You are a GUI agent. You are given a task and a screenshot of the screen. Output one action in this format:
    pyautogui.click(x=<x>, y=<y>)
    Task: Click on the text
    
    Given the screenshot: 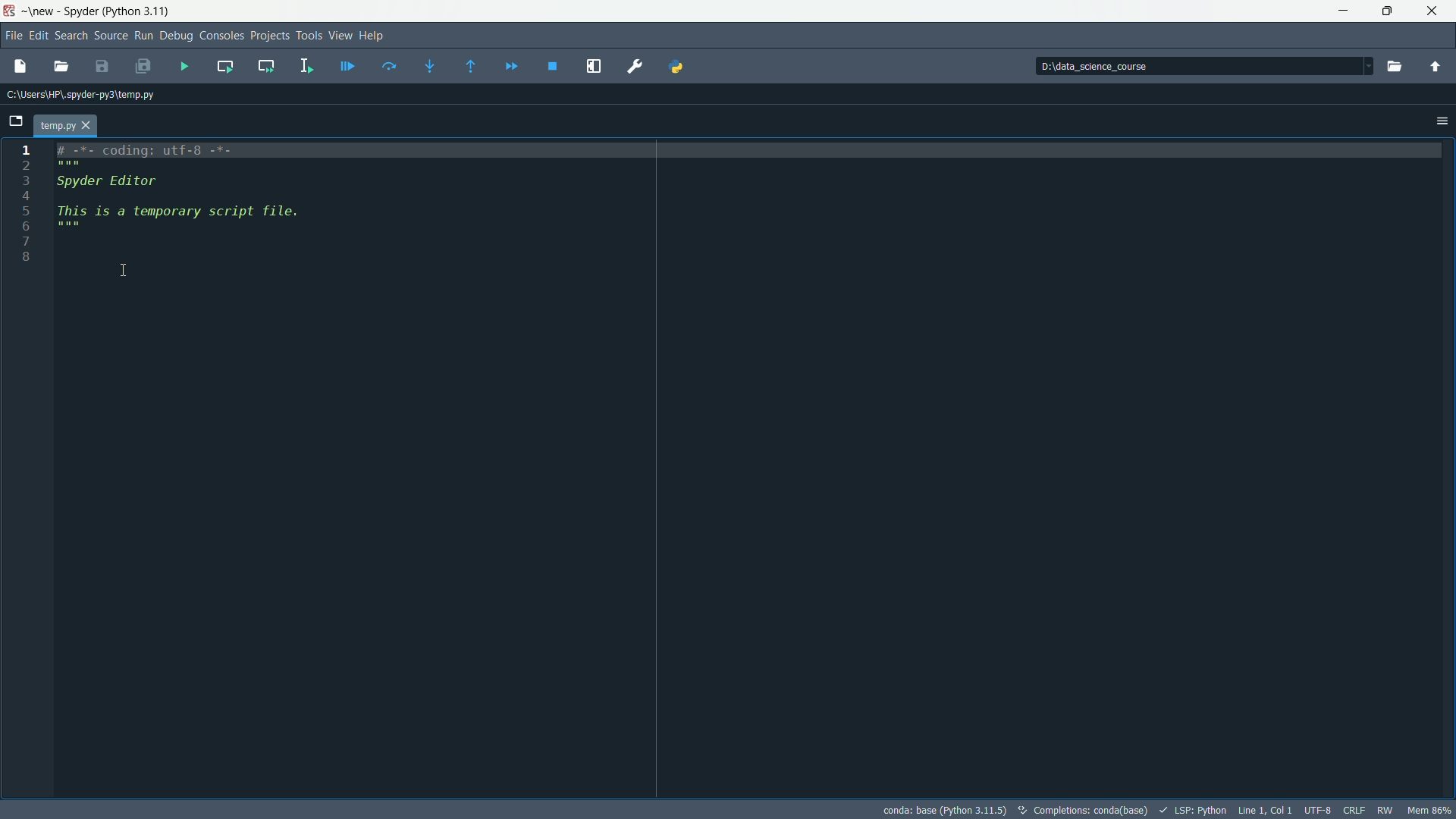 What is the action you would take?
    pyautogui.click(x=1082, y=810)
    